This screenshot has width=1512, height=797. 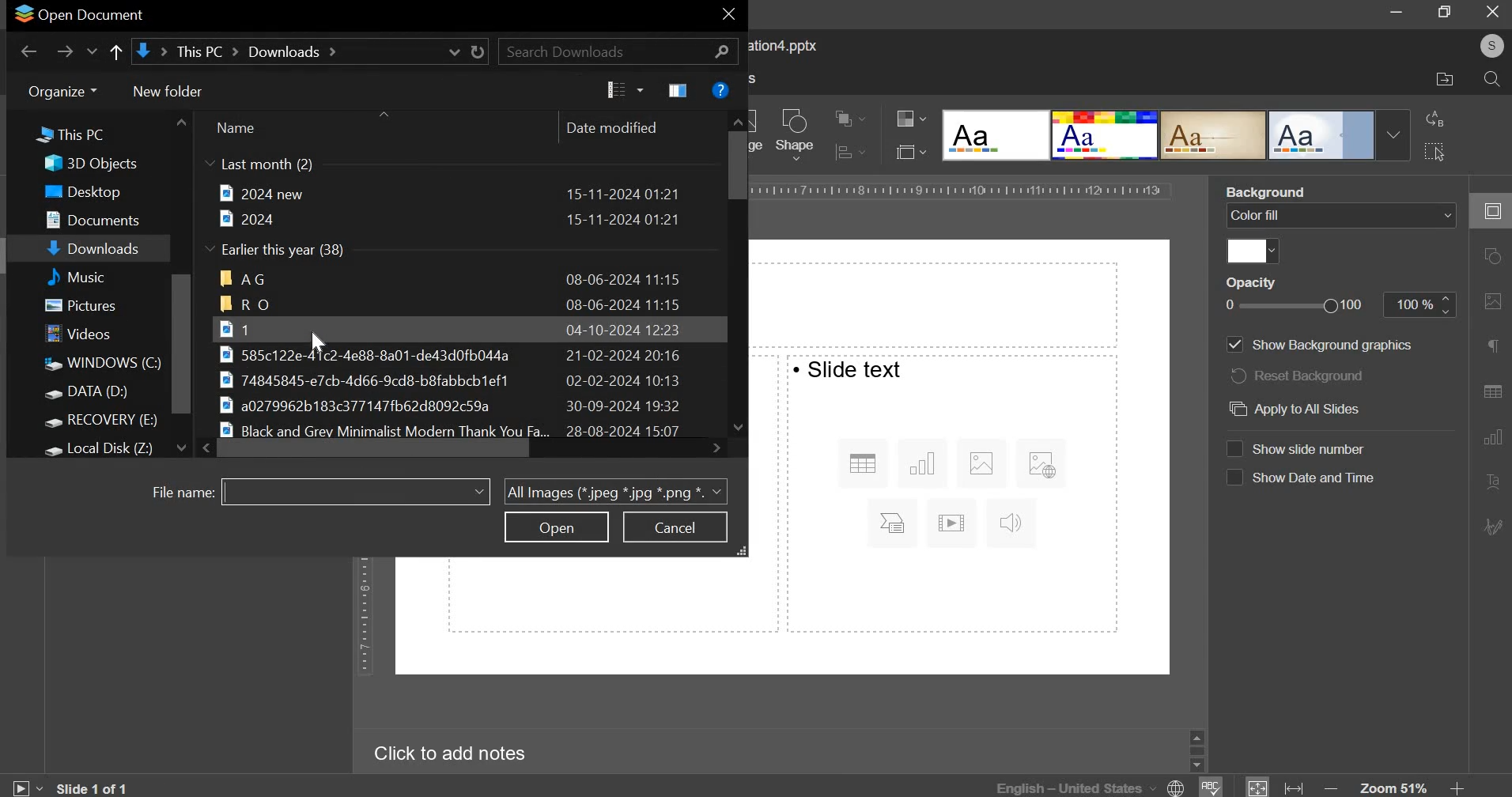 What do you see at coordinates (65, 51) in the screenshot?
I see `forward` at bounding box center [65, 51].